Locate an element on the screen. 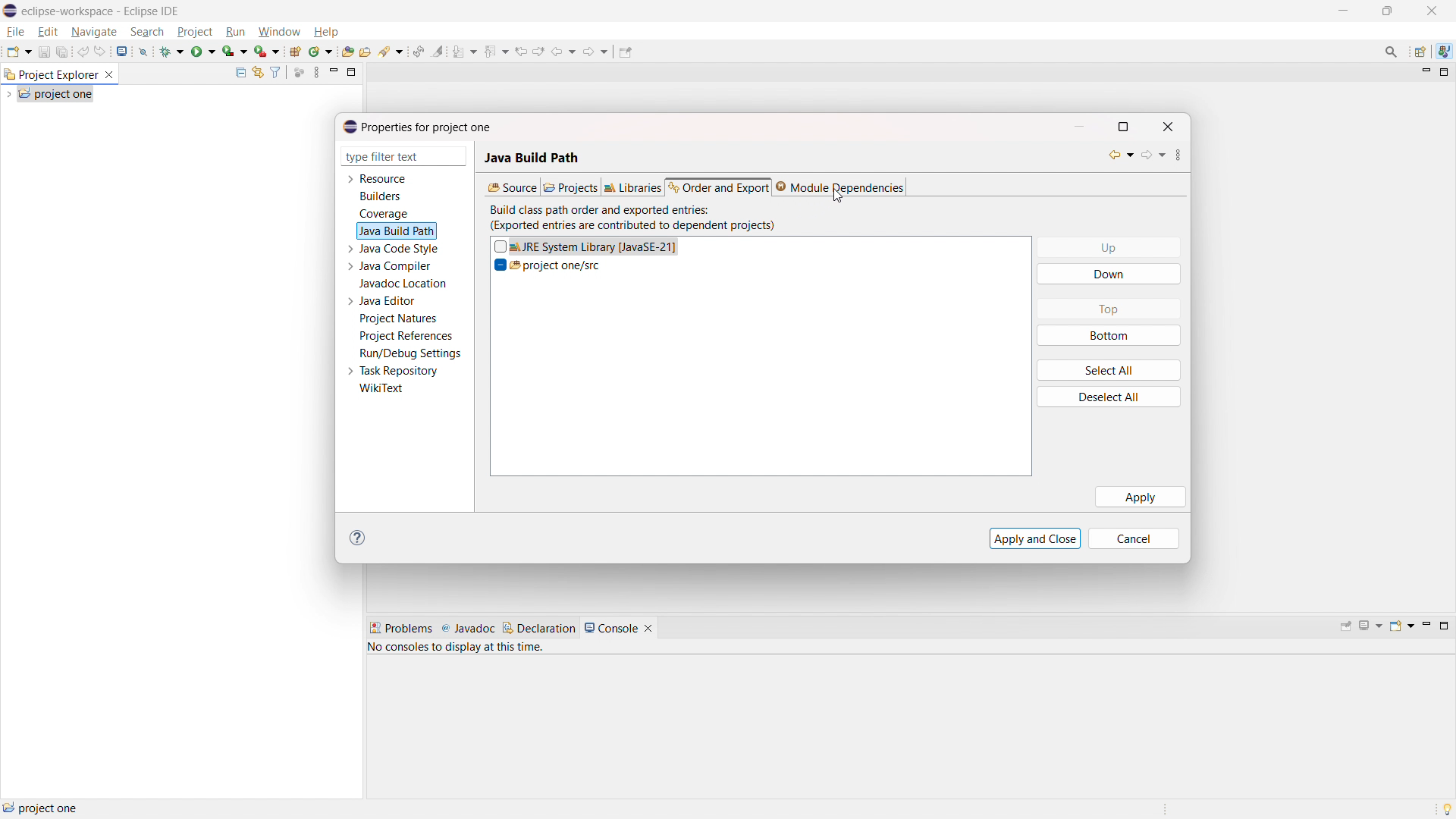  down is located at coordinates (1110, 275).